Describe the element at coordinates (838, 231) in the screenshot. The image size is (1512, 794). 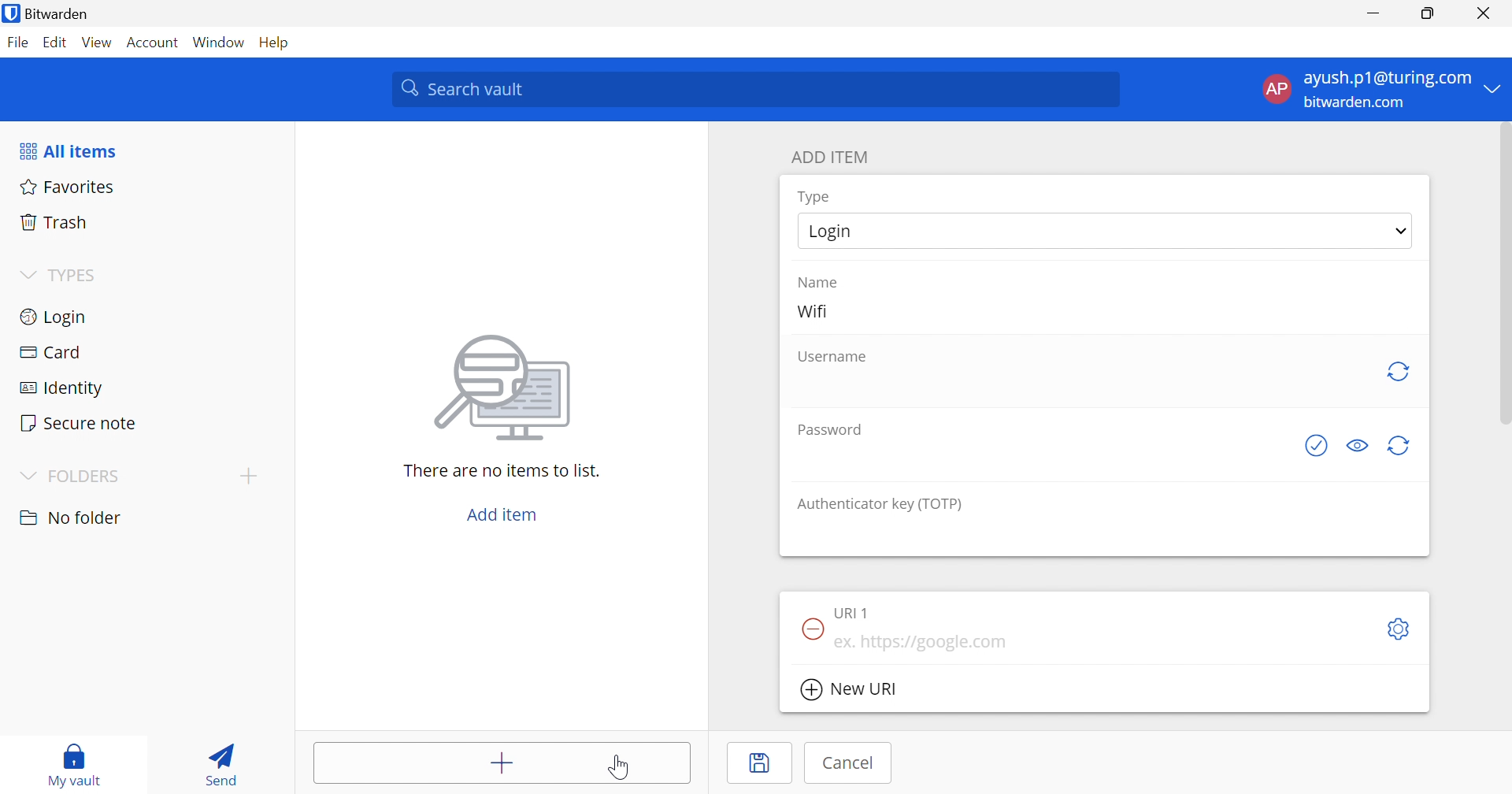
I see `Login` at that location.